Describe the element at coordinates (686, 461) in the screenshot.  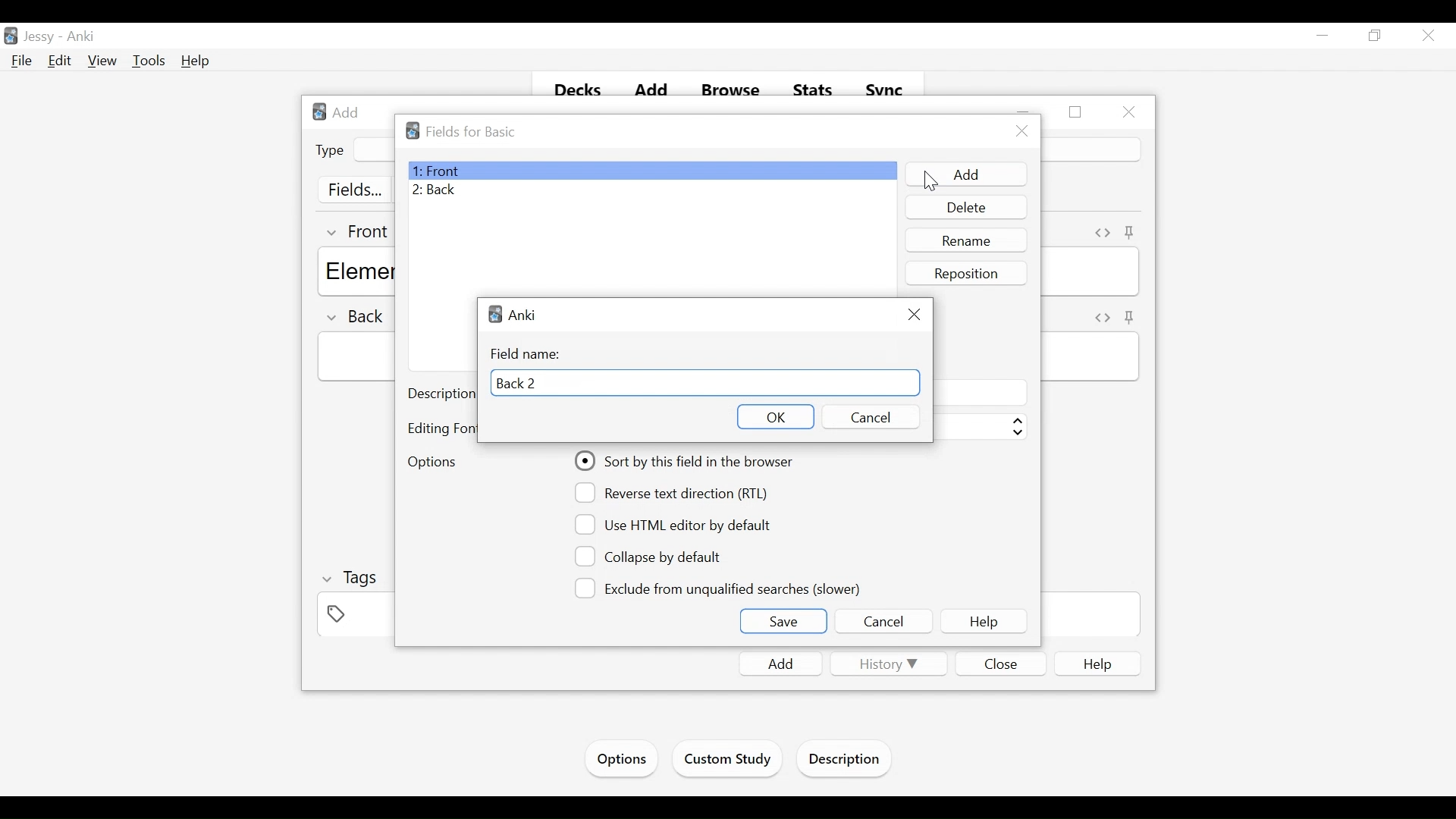
I see `(un)select Sort tis field in the browser` at that location.